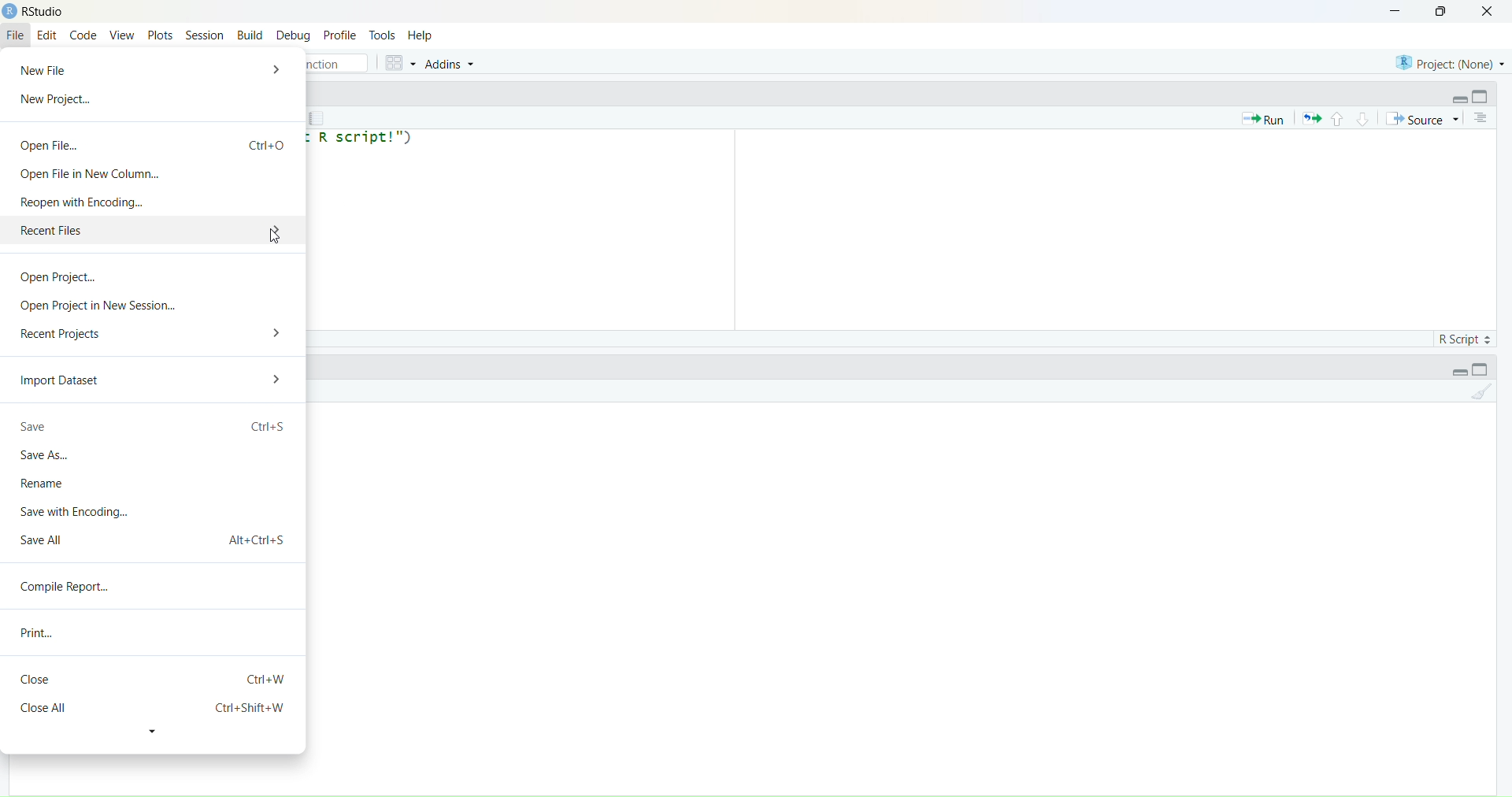 This screenshot has height=797, width=1512. What do you see at coordinates (277, 331) in the screenshot?
I see `More` at bounding box center [277, 331].